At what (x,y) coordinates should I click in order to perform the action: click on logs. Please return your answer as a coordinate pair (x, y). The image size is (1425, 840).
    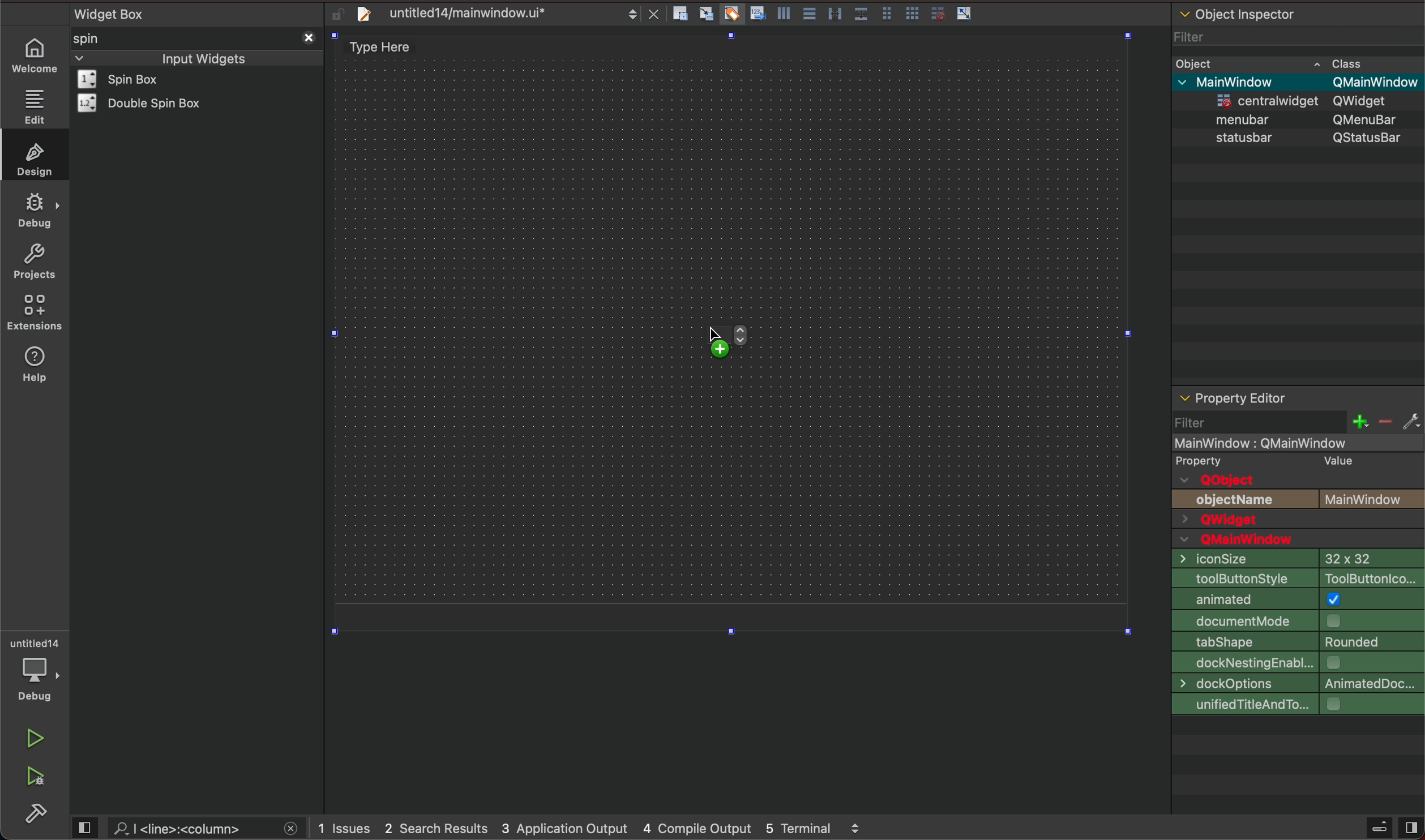
    Looking at the image, I should click on (601, 829).